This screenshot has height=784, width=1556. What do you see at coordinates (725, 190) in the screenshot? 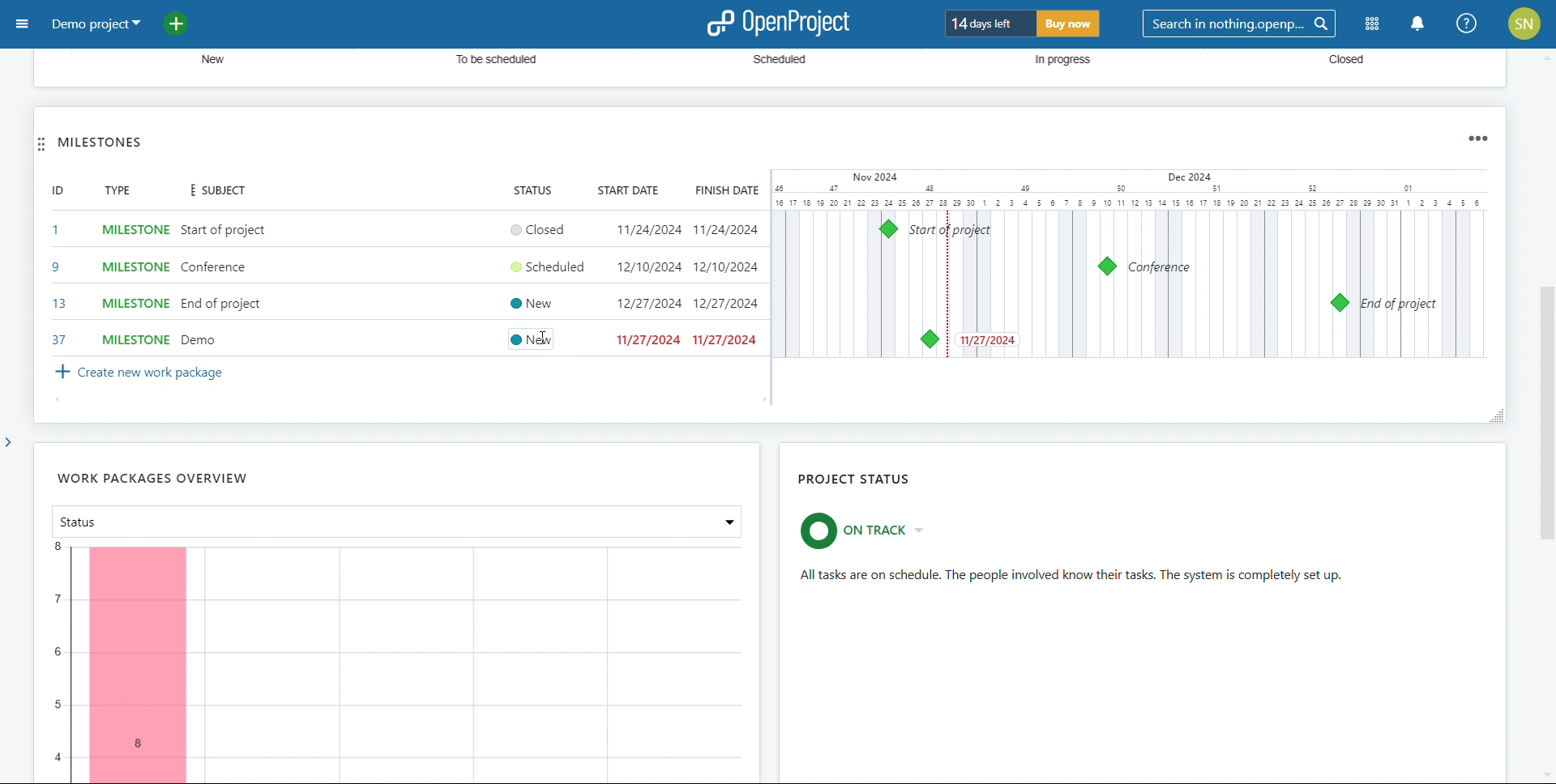
I see `finish date` at bounding box center [725, 190].